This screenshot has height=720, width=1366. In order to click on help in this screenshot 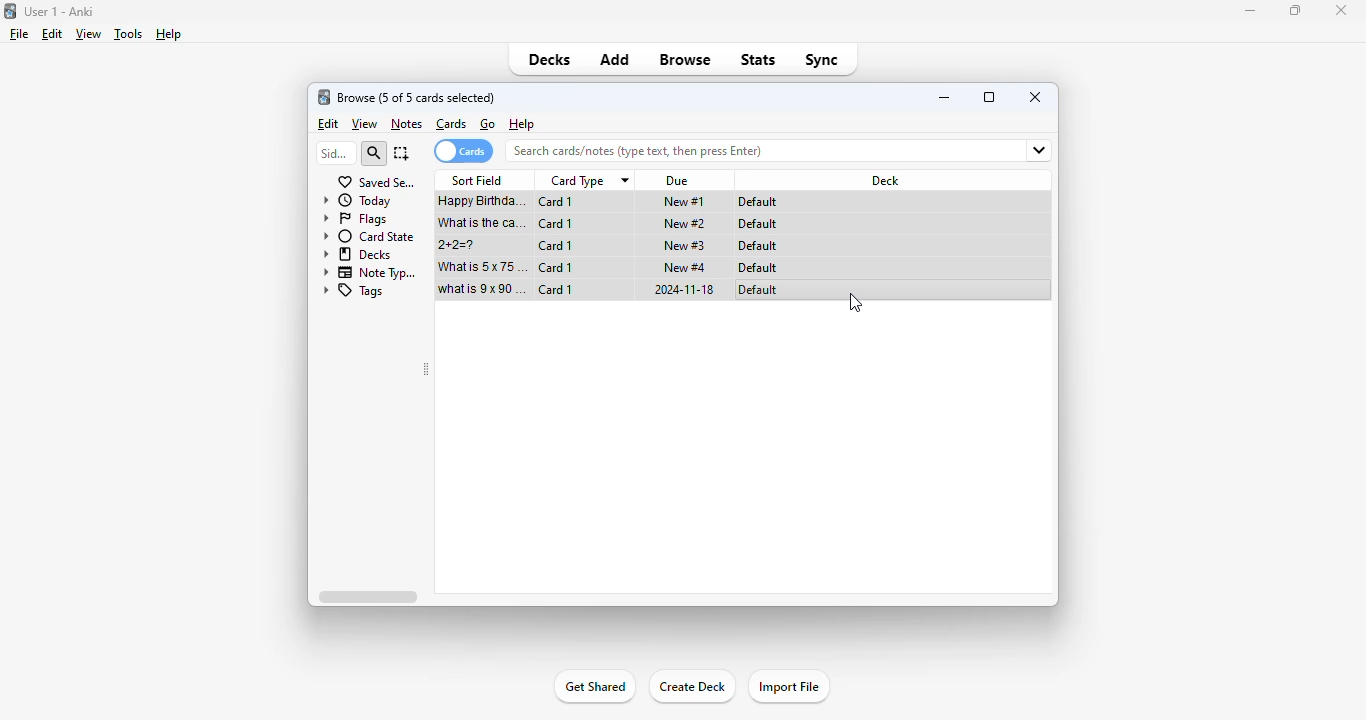, I will do `click(168, 34)`.